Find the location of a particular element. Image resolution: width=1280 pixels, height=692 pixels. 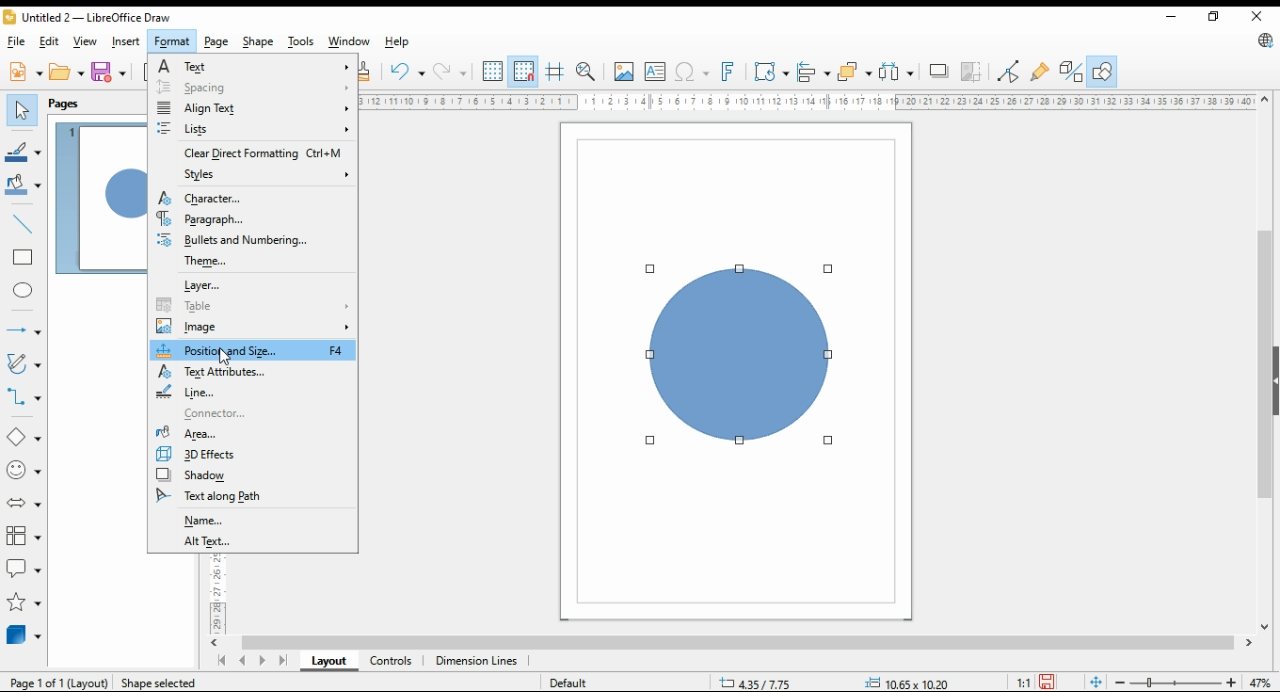

layer is located at coordinates (249, 284).